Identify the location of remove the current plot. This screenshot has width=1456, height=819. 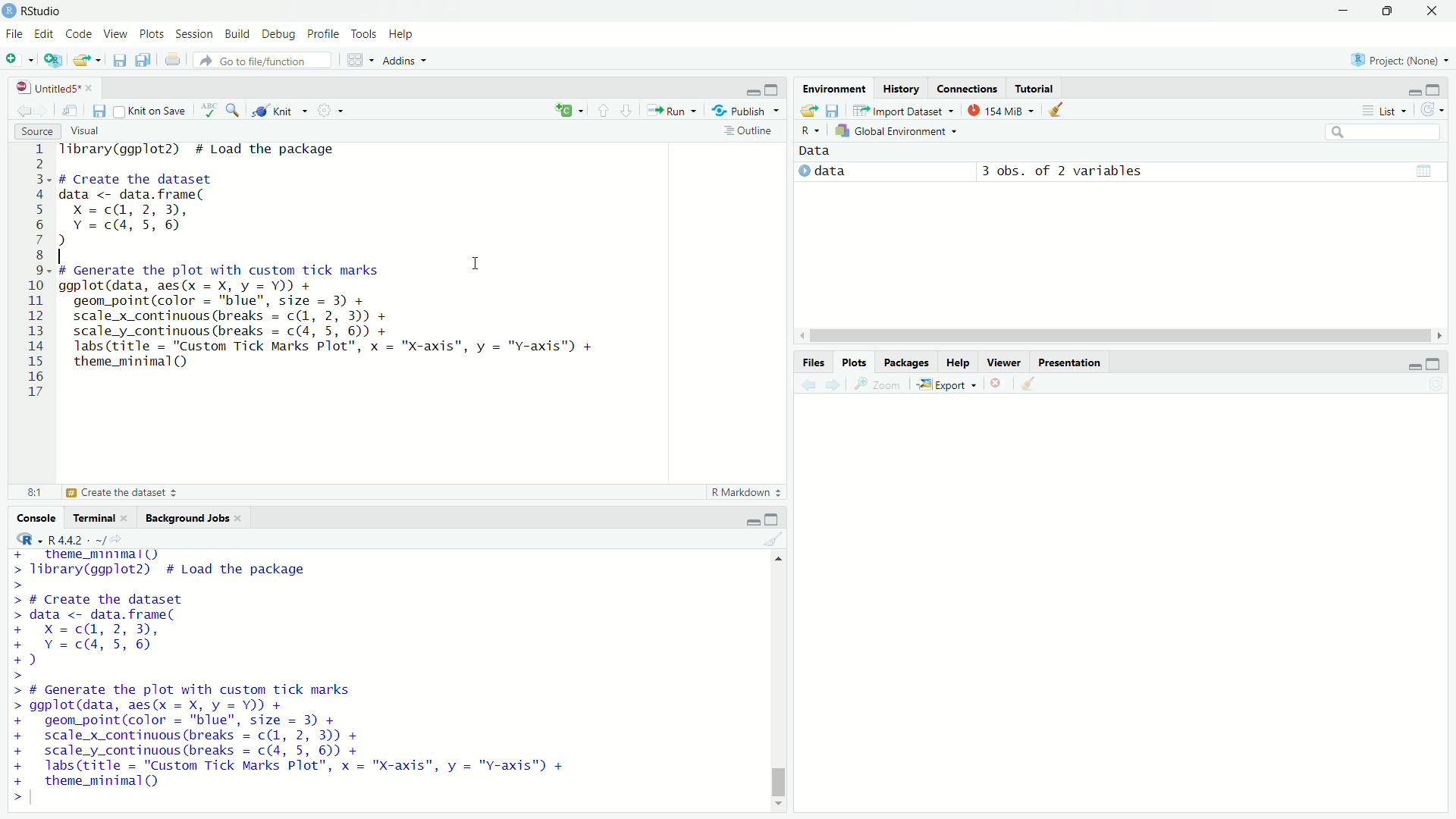
(998, 384).